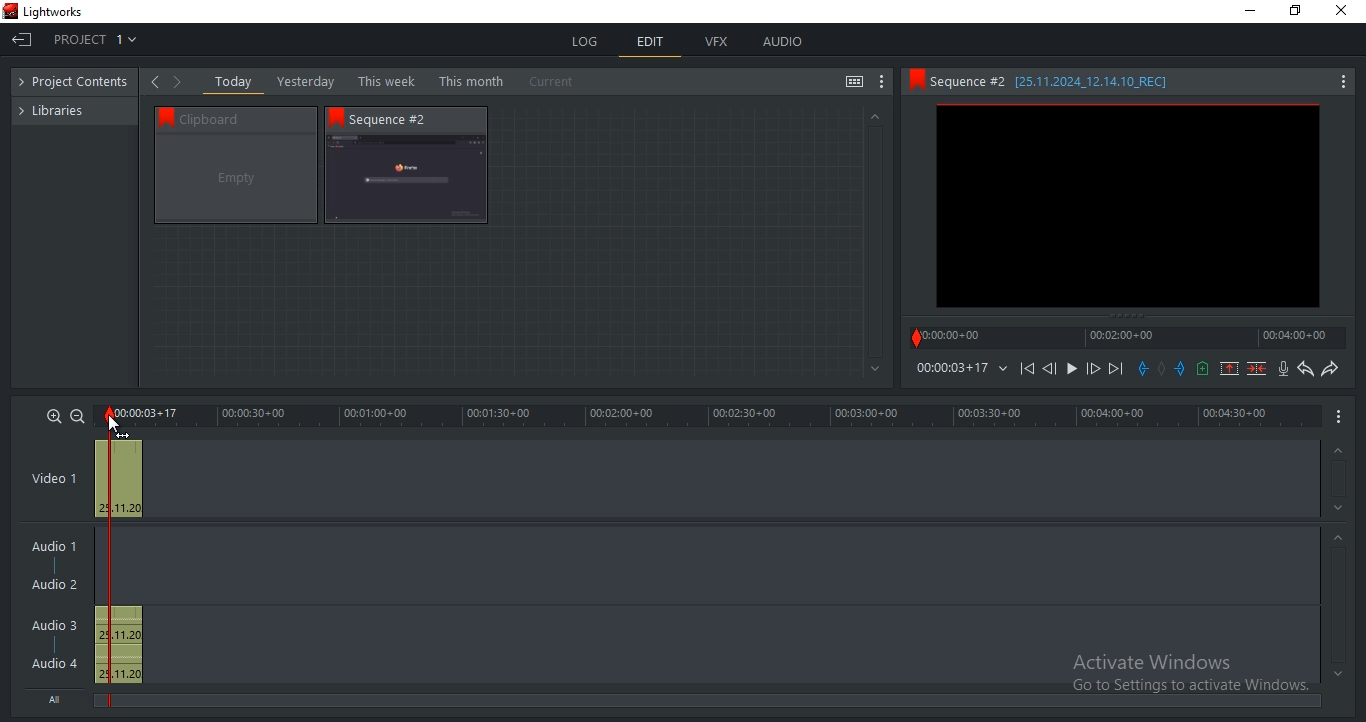  What do you see at coordinates (782, 41) in the screenshot?
I see `audio` at bounding box center [782, 41].